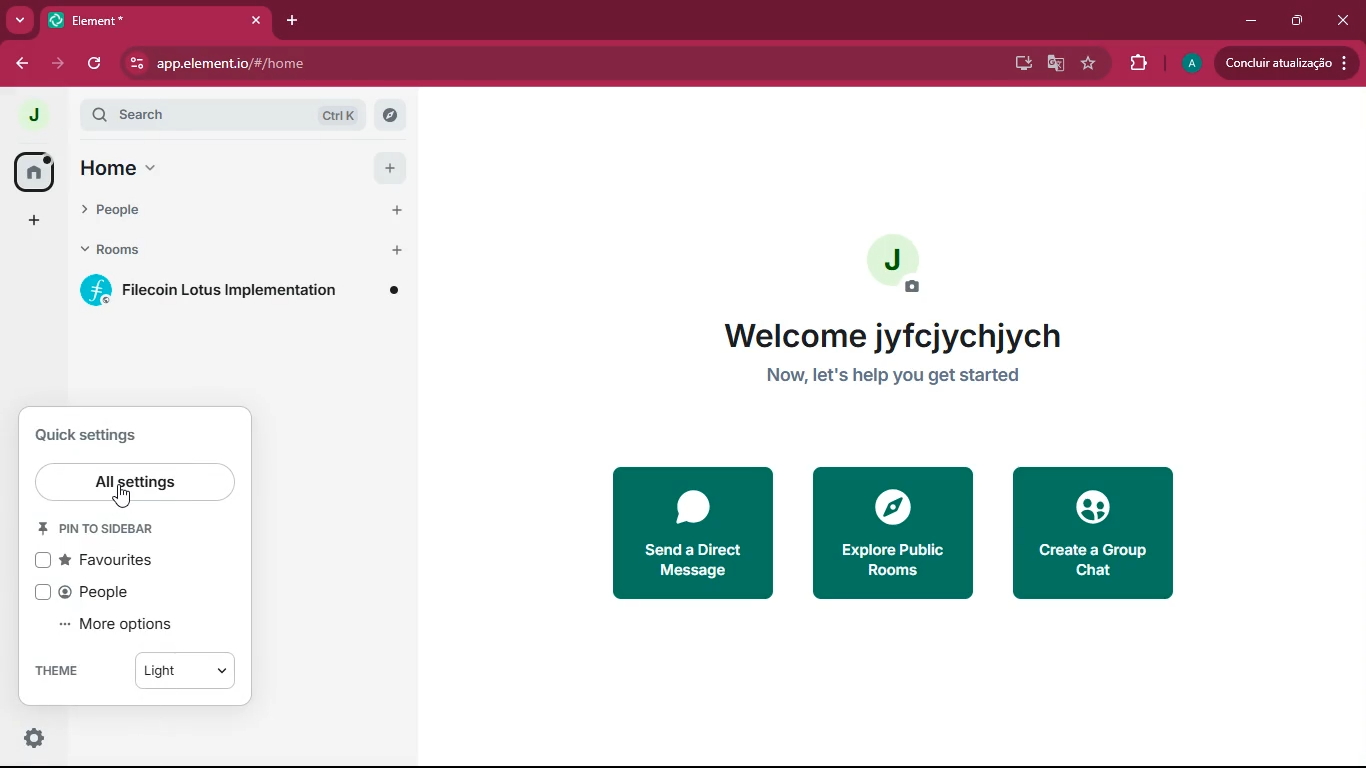 This screenshot has height=768, width=1366. What do you see at coordinates (695, 532) in the screenshot?
I see `send a direct message` at bounding box center [695, 532].